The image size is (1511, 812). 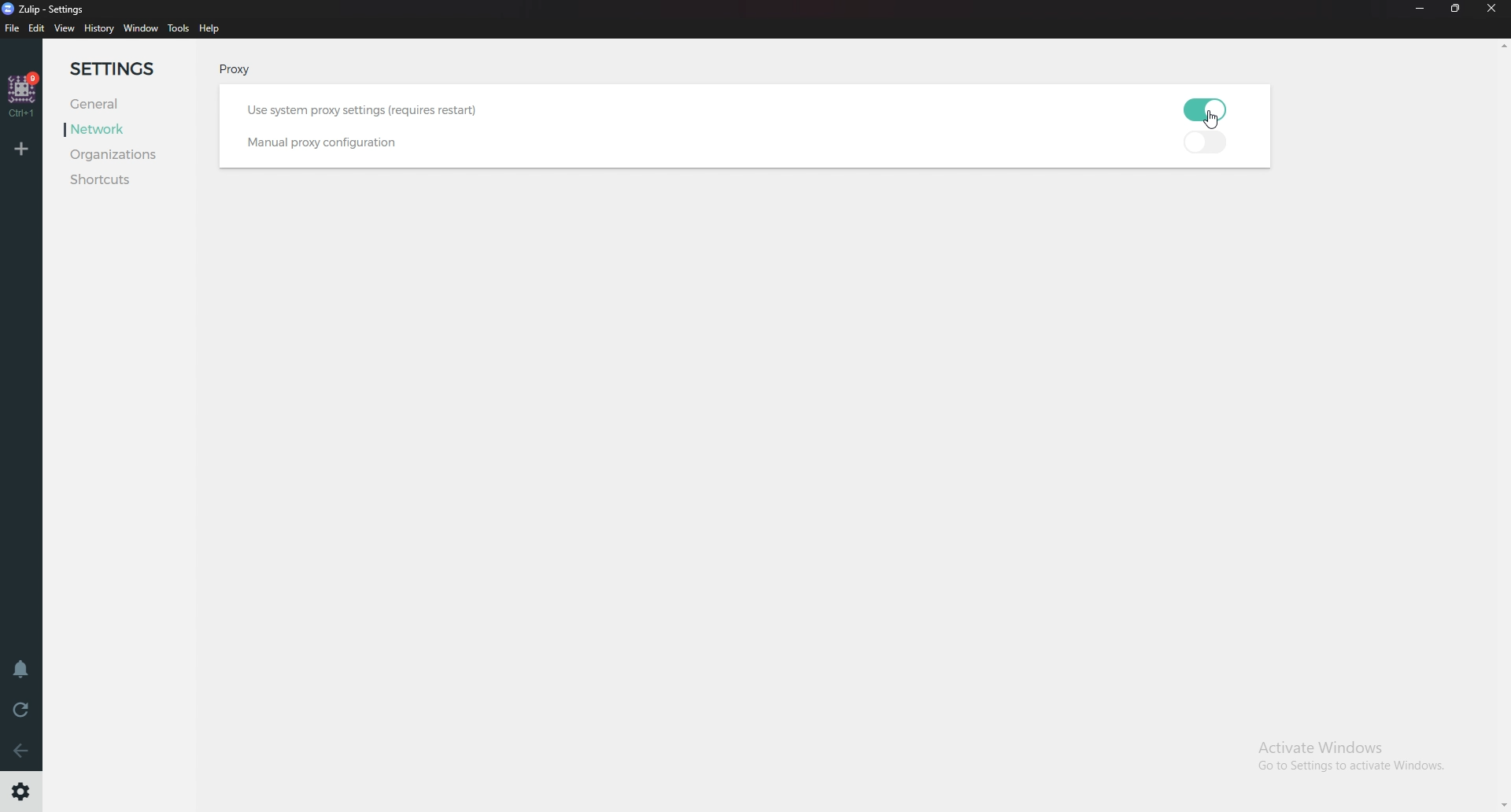 What do you see at coordinates (1454, 9) in the screenshot?
I see `Resize` at bounding box center [1454, 9].